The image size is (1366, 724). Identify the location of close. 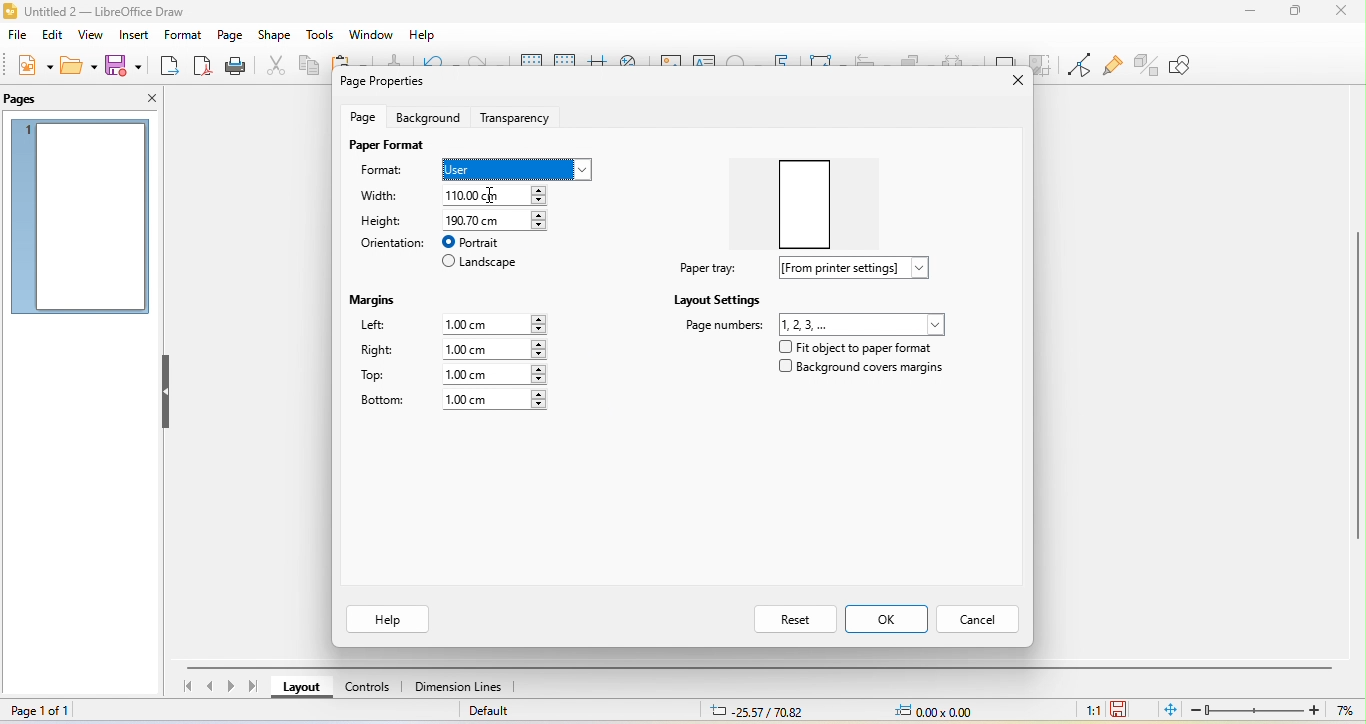
(1007, 81).